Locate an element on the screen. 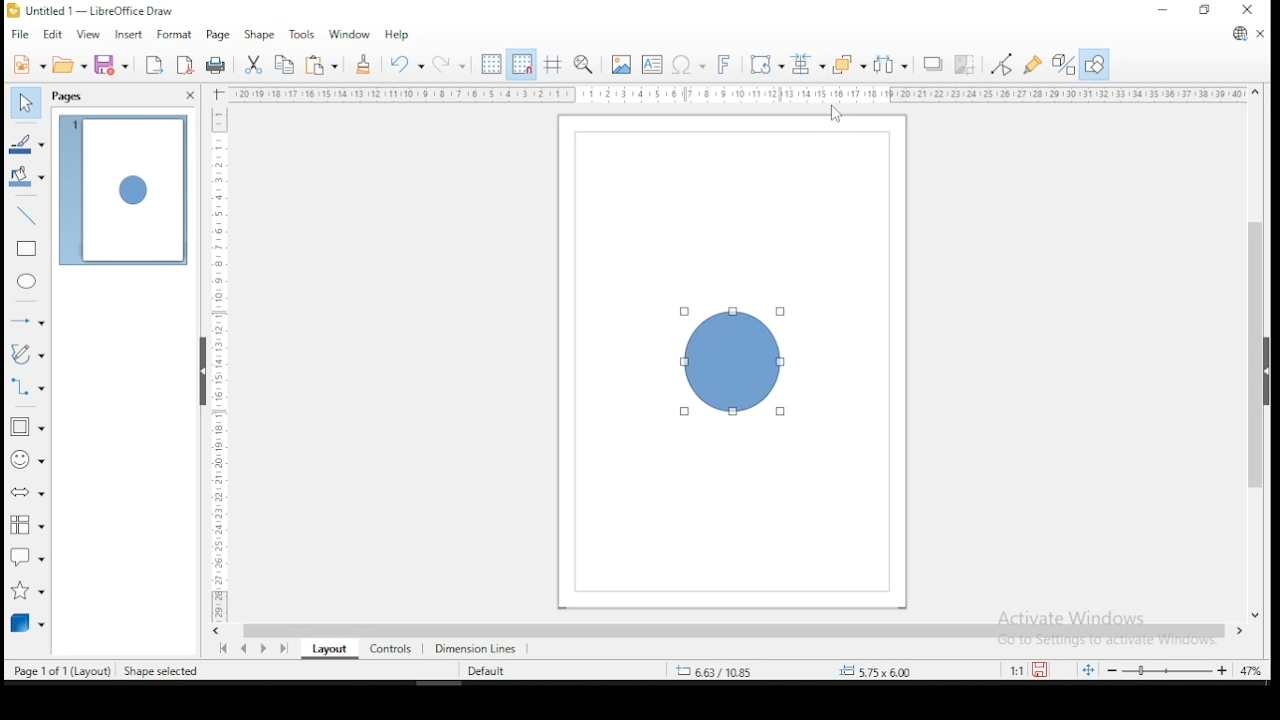 The height and width of the screenshot is (720, 1280). curves and polygons is located at coordinates (28, 354).